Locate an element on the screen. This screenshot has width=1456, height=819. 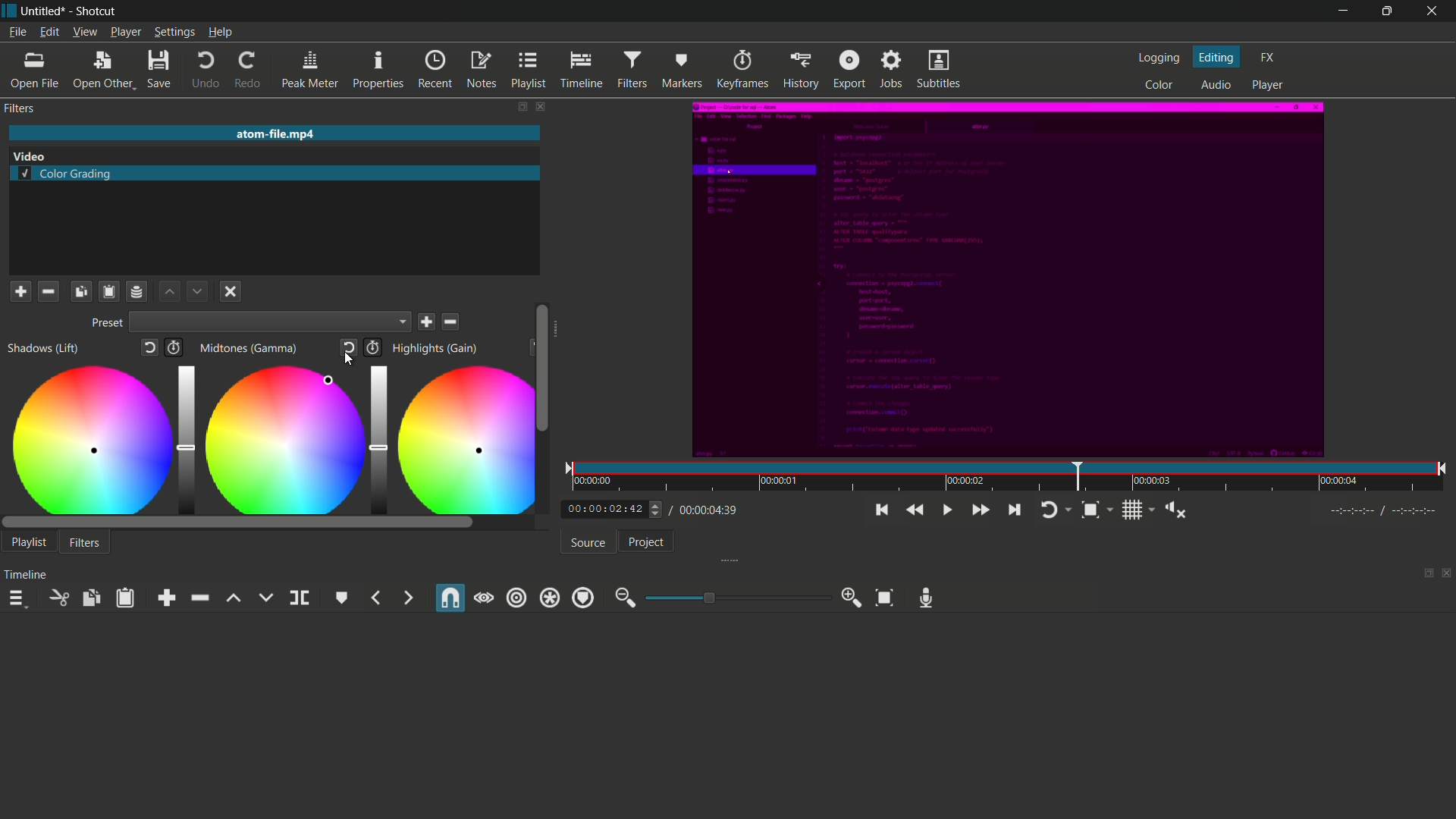
toggle grid is located at coordinates (1139, 510).